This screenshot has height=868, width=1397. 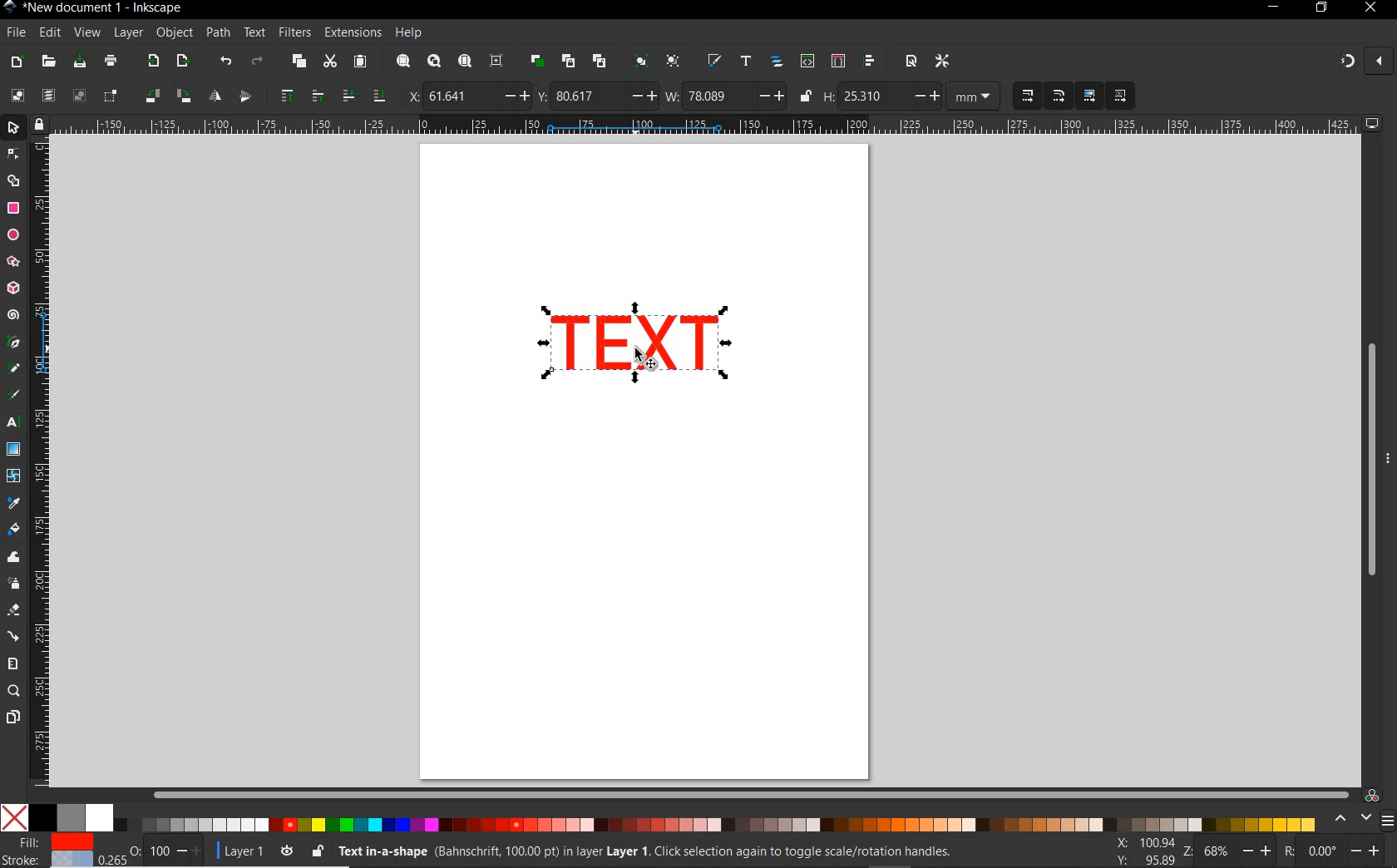 I want to click on mesh tool, so click(x=14, y=478).